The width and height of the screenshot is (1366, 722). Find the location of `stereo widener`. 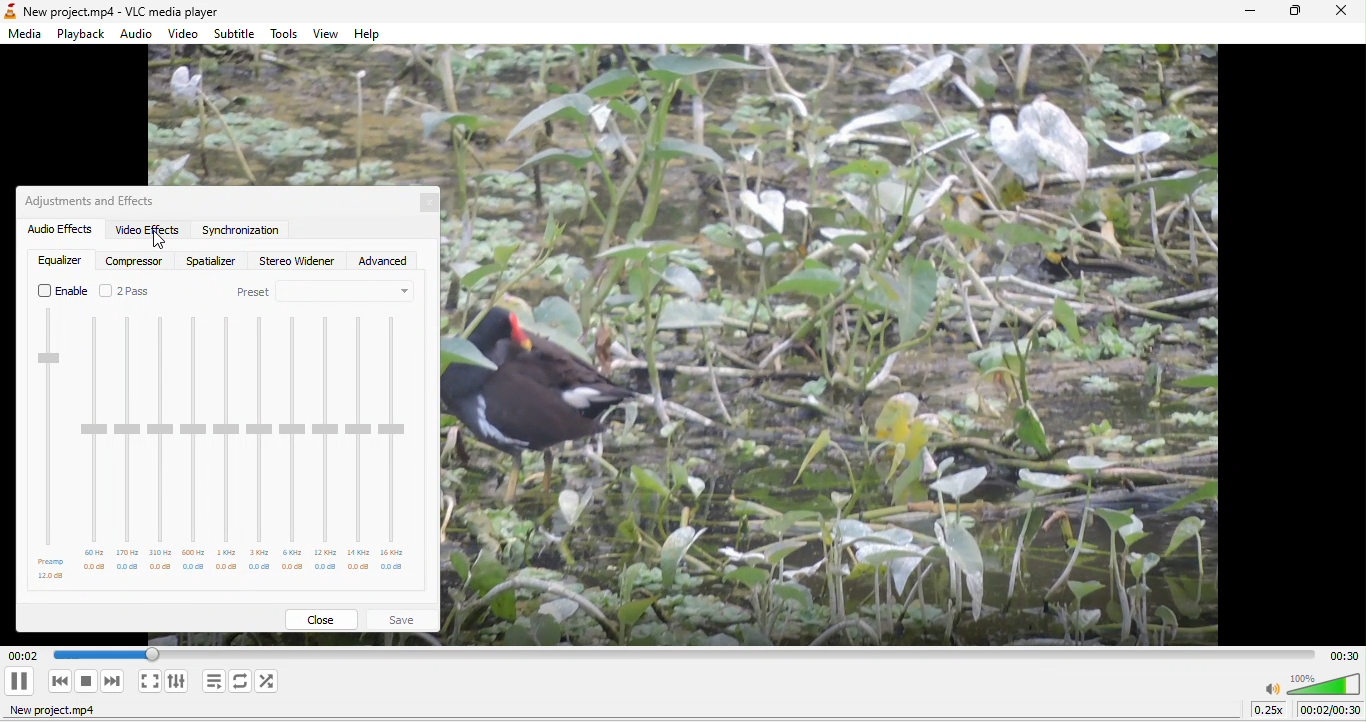

stereo widener is located at coordinates (298, 261).